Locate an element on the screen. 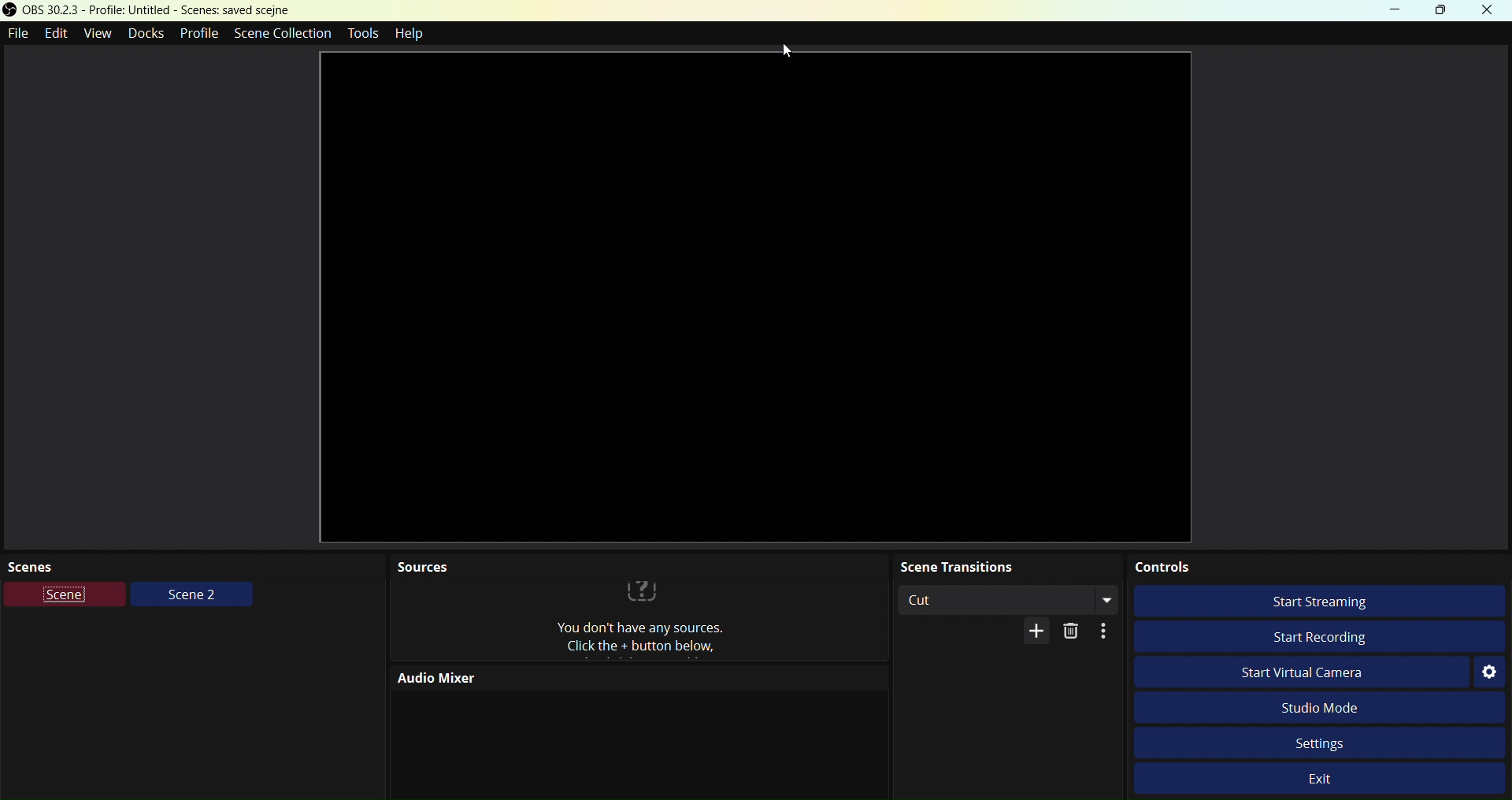 The height and width of the screenshot is (800, 1512). Delete is located at coordinates (1073, 632).